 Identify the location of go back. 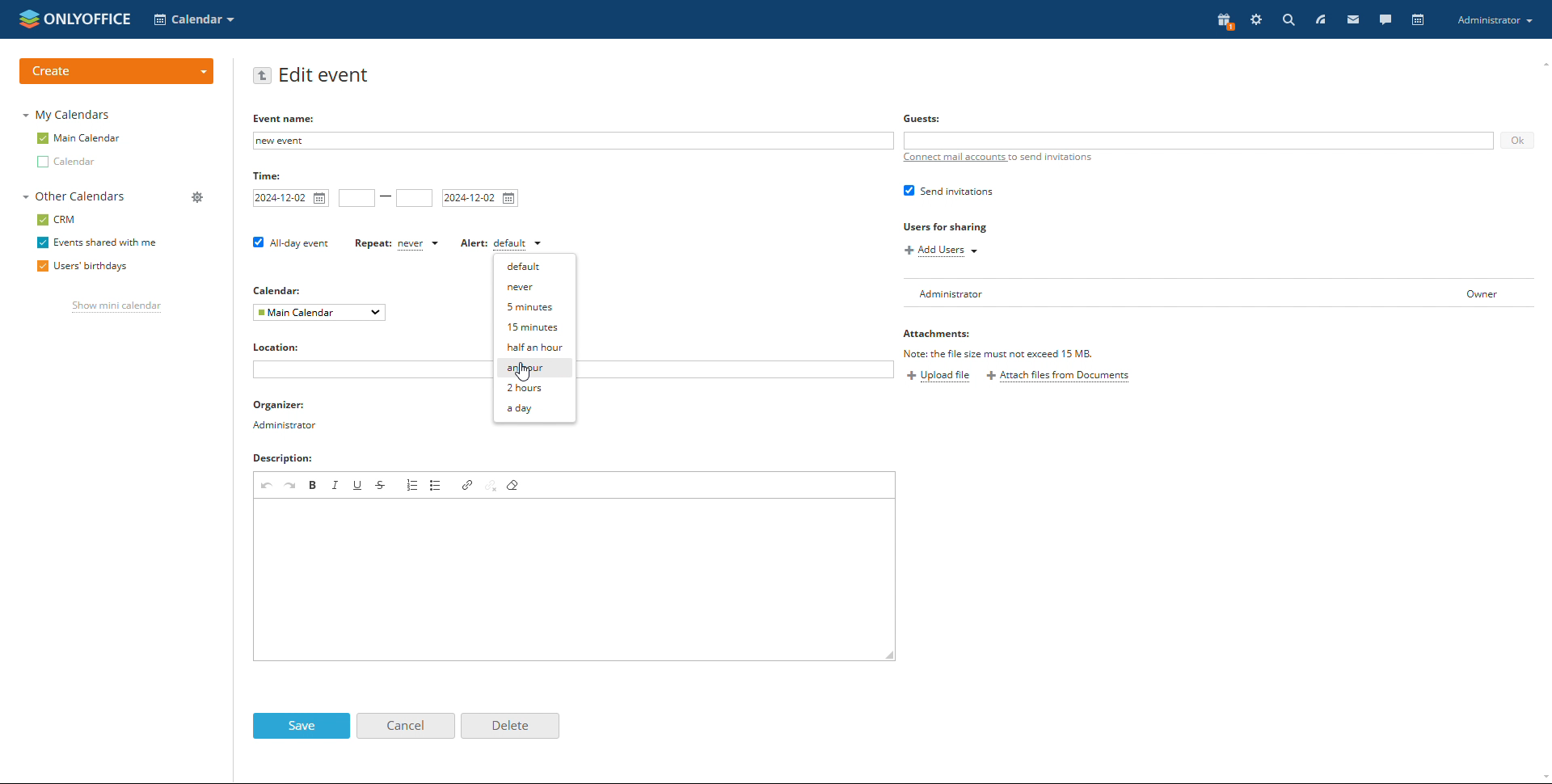
(262, 75).